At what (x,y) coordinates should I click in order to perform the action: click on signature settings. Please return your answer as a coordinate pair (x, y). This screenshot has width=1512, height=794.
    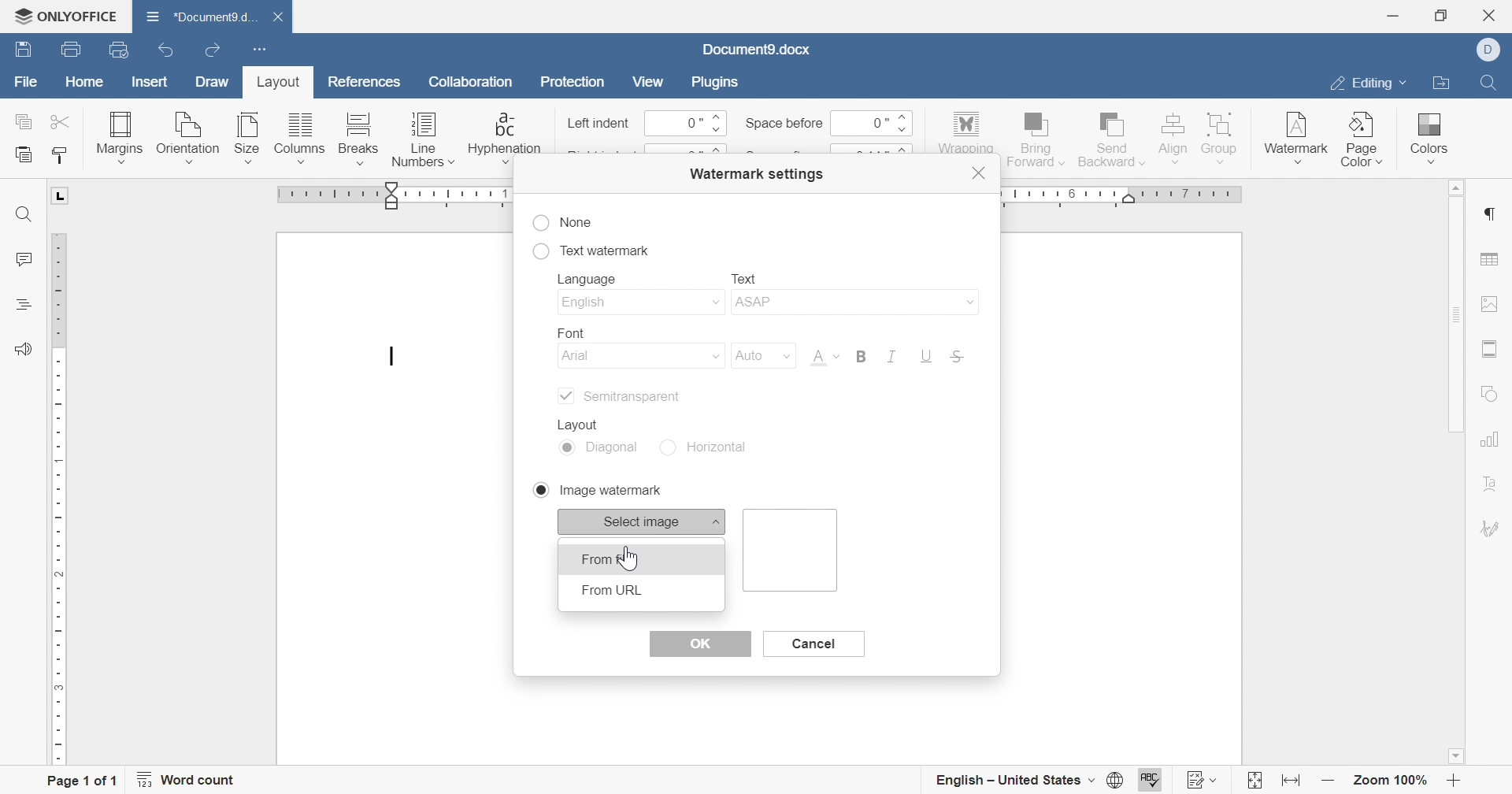
    Looking at the image, I should click on (1492, 529).